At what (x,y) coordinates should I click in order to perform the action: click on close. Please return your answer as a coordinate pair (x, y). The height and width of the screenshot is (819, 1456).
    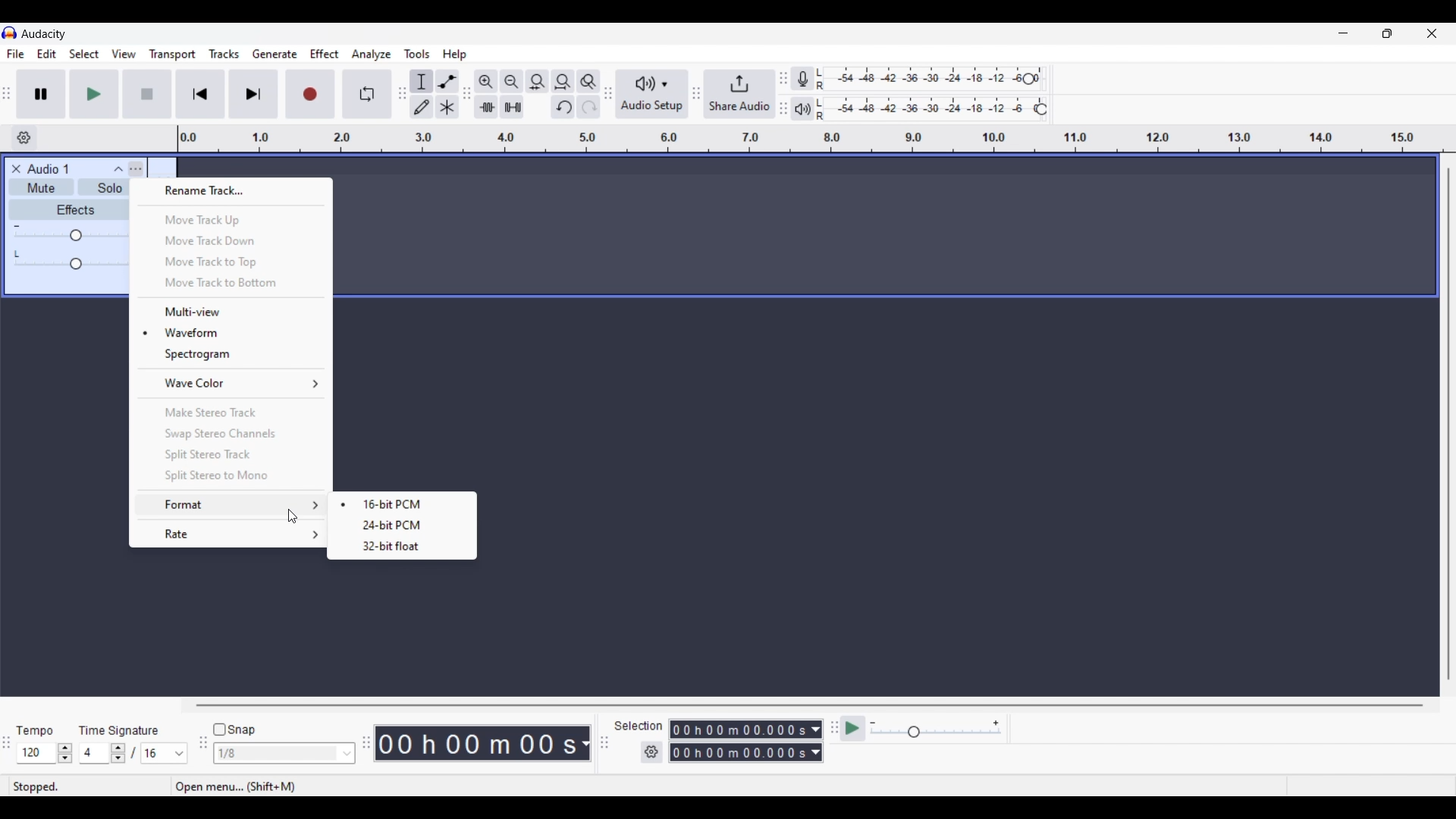
    Looking at the image, I should click on (14, 168).